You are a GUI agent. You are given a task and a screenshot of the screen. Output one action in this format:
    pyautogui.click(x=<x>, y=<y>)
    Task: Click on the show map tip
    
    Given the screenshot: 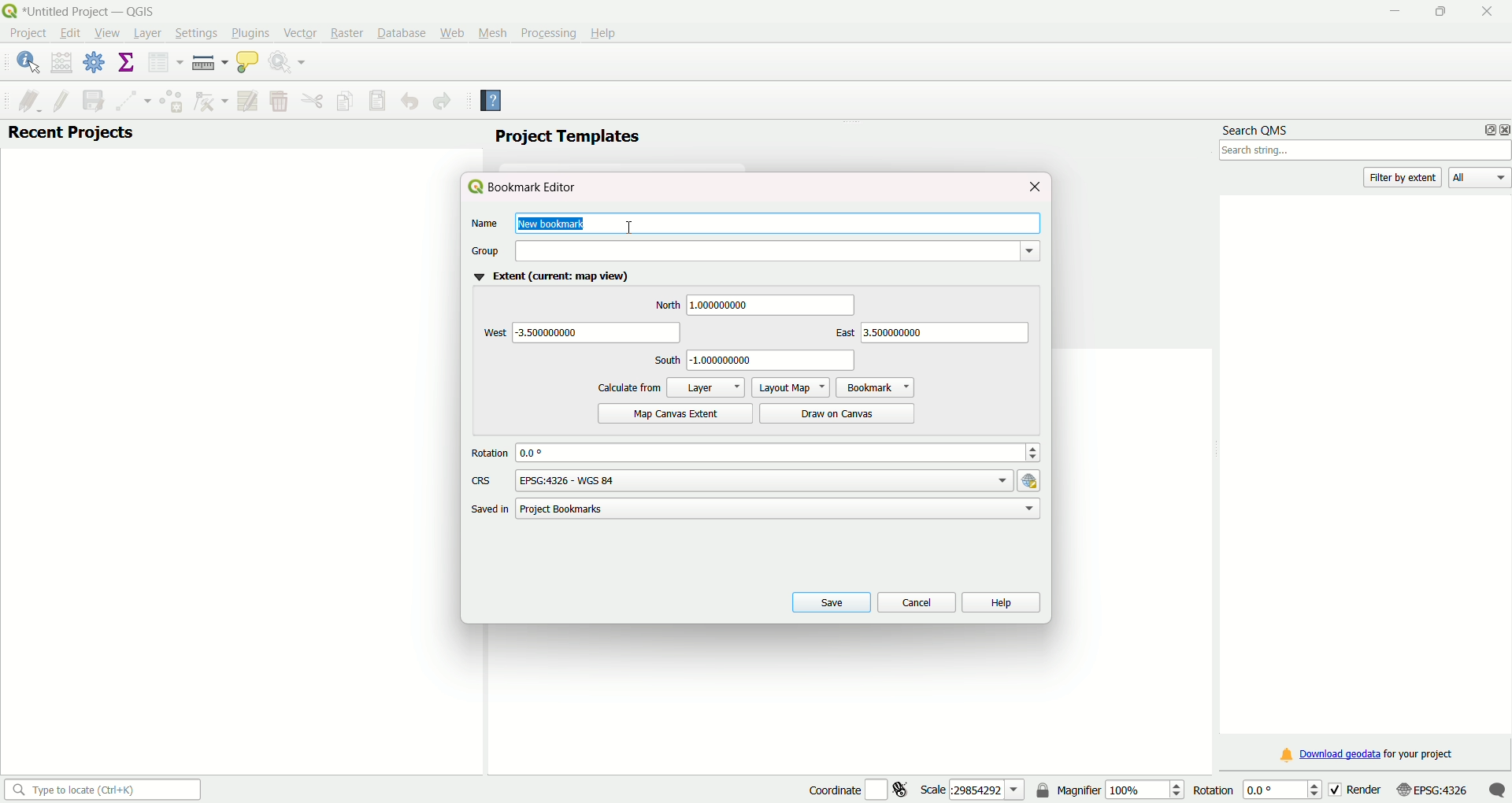 What is the action you would take?
    pyautogui.click(x=247, y=64)
    